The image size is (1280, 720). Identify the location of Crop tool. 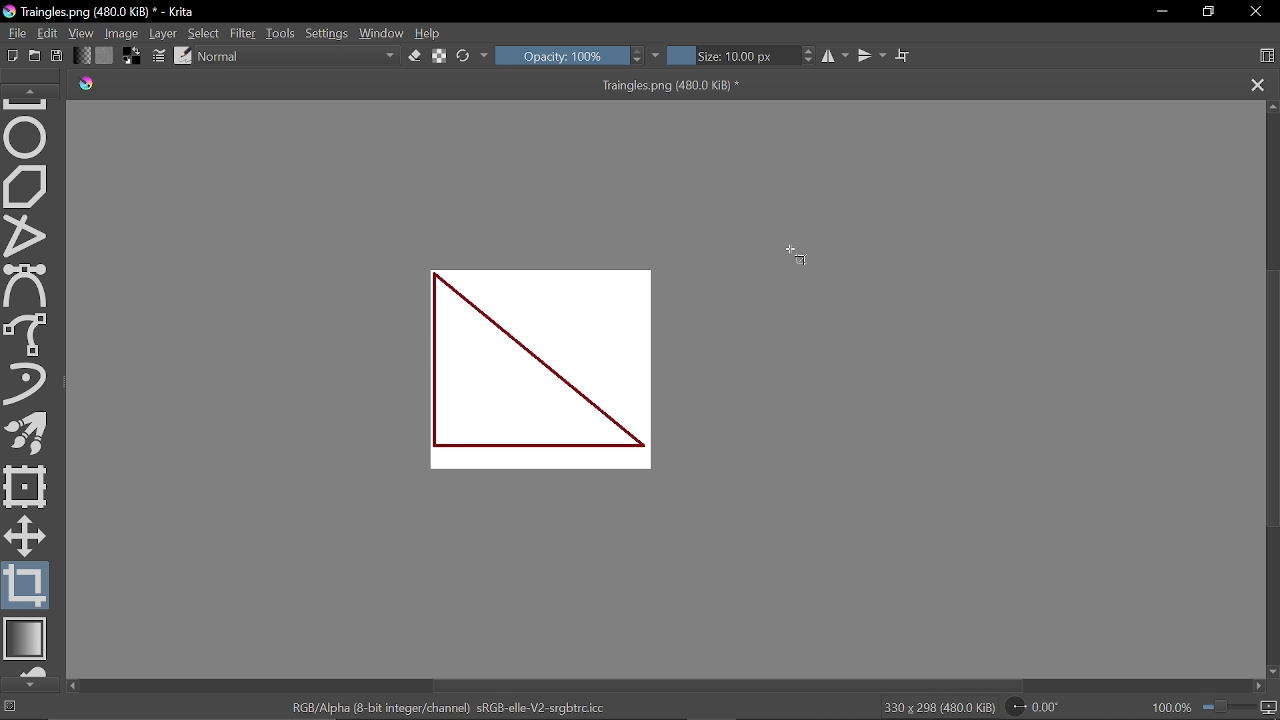
(26, 586).